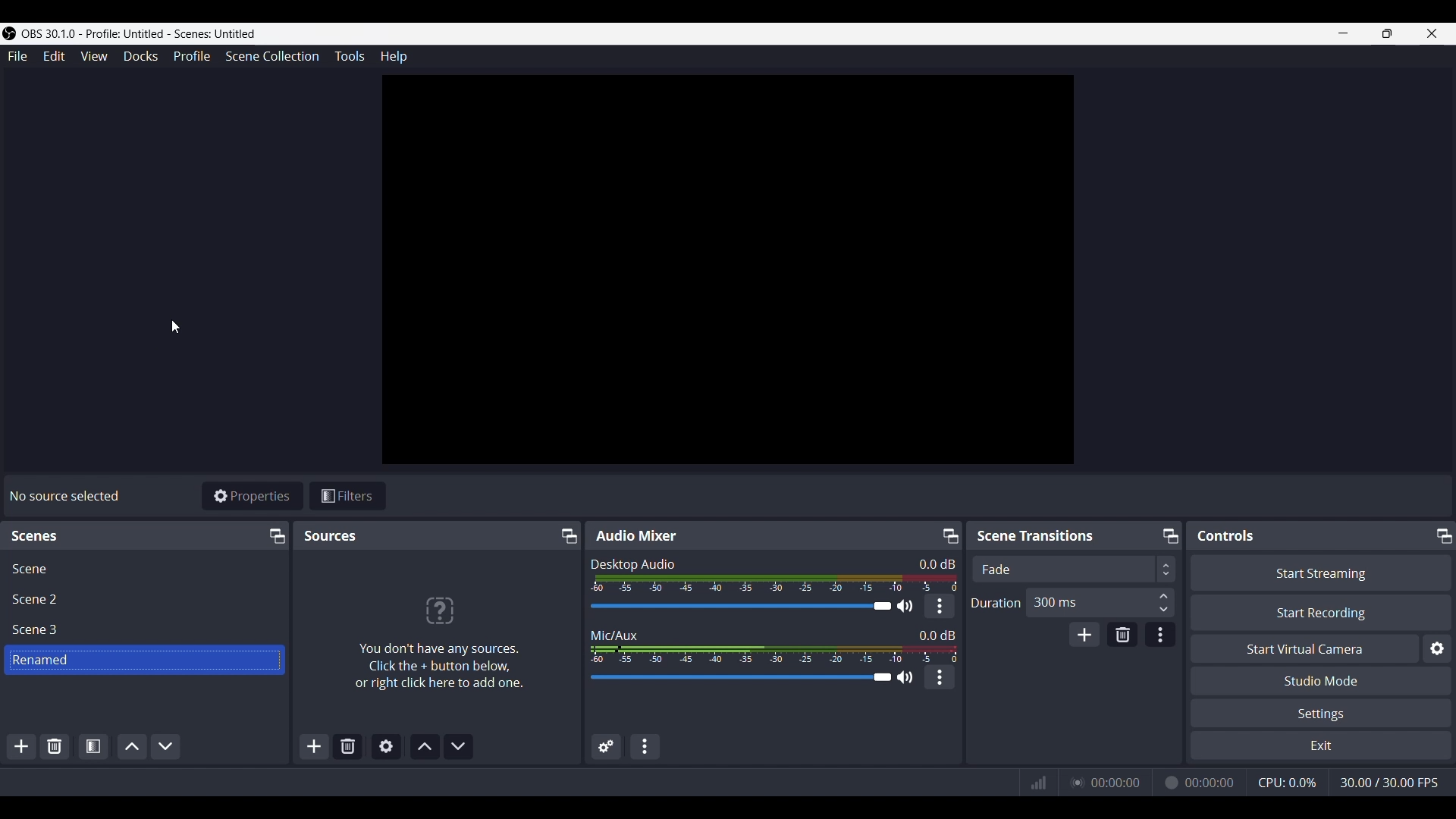 The image size is (1456, 819). Describe the element at coordinates (905, 606) in the screenshot. I see `Speaker Icon` at that location.